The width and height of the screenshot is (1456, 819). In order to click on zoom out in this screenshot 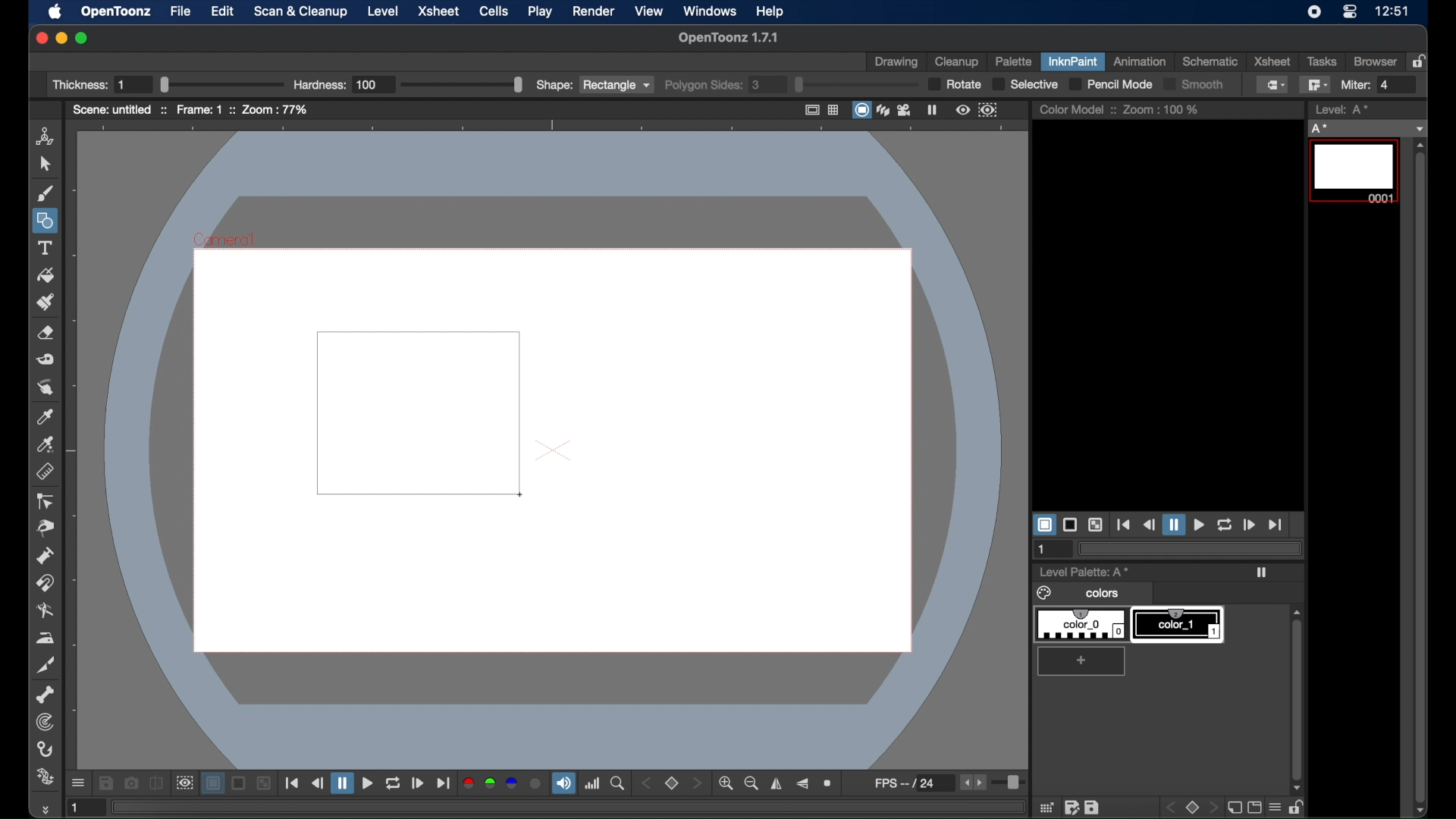, I will do `click(752, 783)`.